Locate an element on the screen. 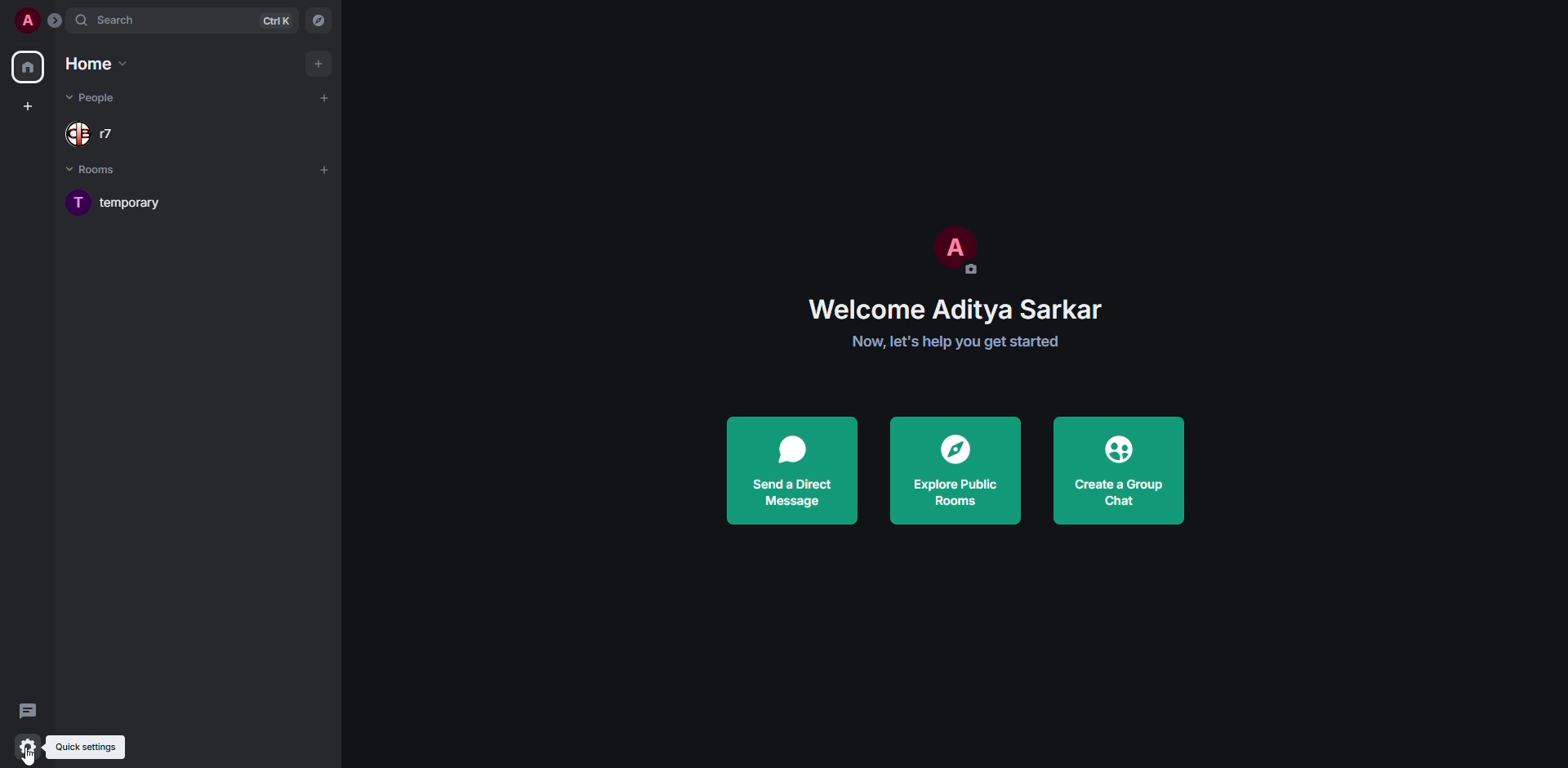  expand is located at coordinates (56, 20).